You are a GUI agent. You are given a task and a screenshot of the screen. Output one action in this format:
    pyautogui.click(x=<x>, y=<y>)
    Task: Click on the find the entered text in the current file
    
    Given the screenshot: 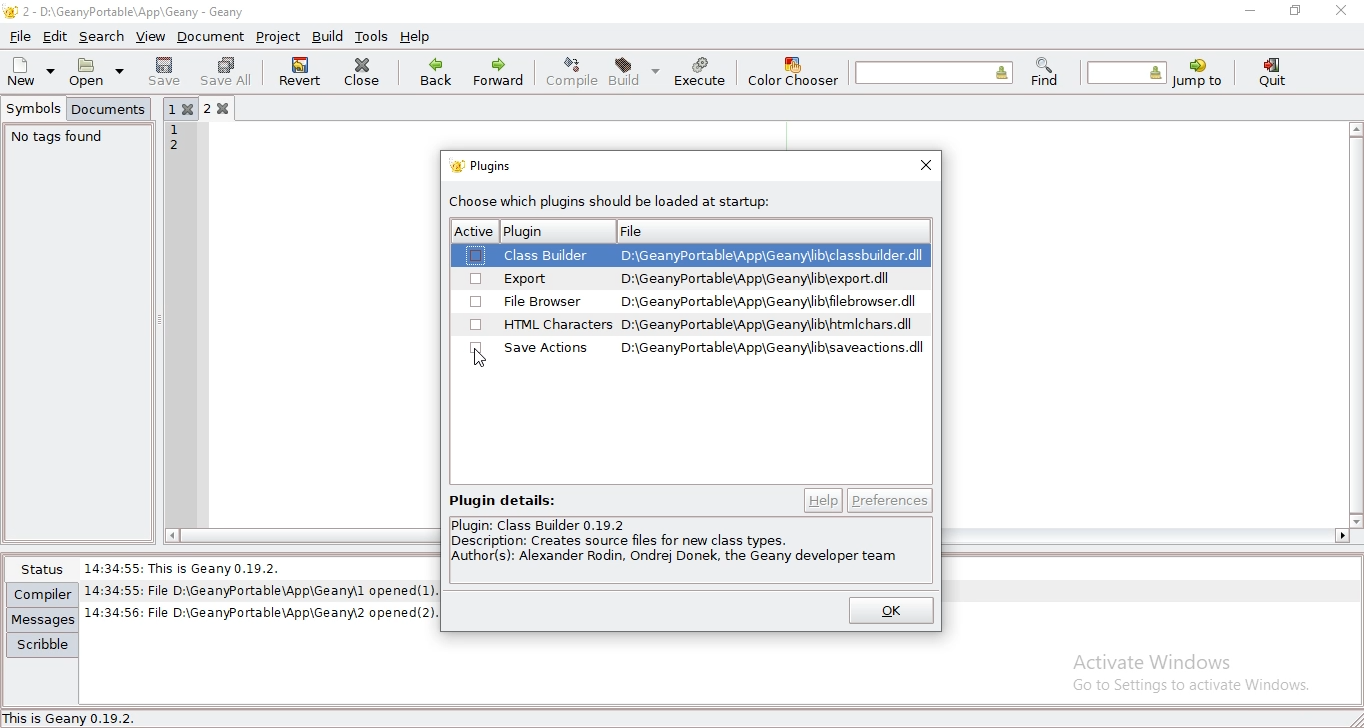 What is the action you would take?
    pyautogui.click(x=934, y=71)
    